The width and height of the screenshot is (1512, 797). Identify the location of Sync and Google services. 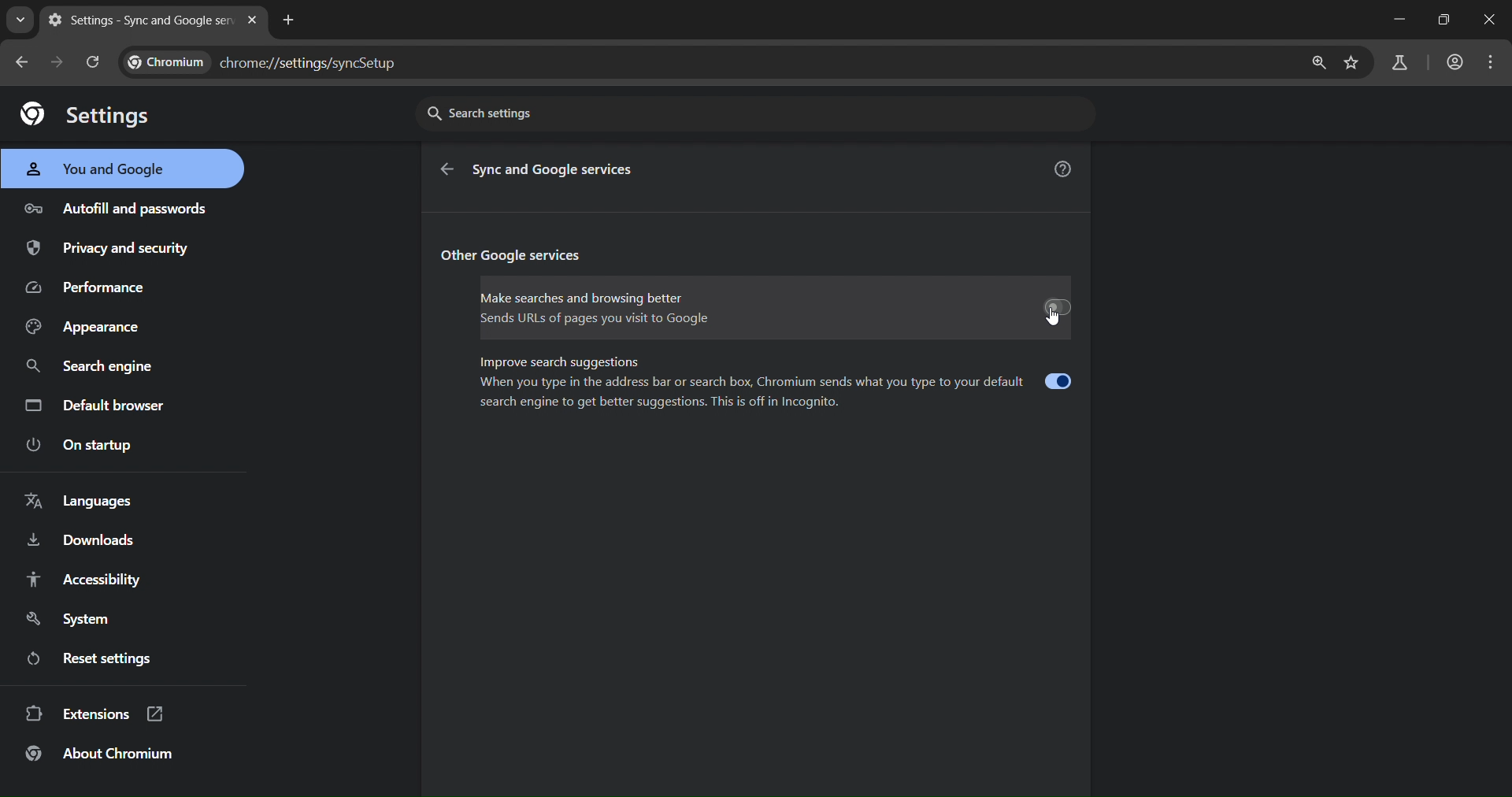
(557, 170).